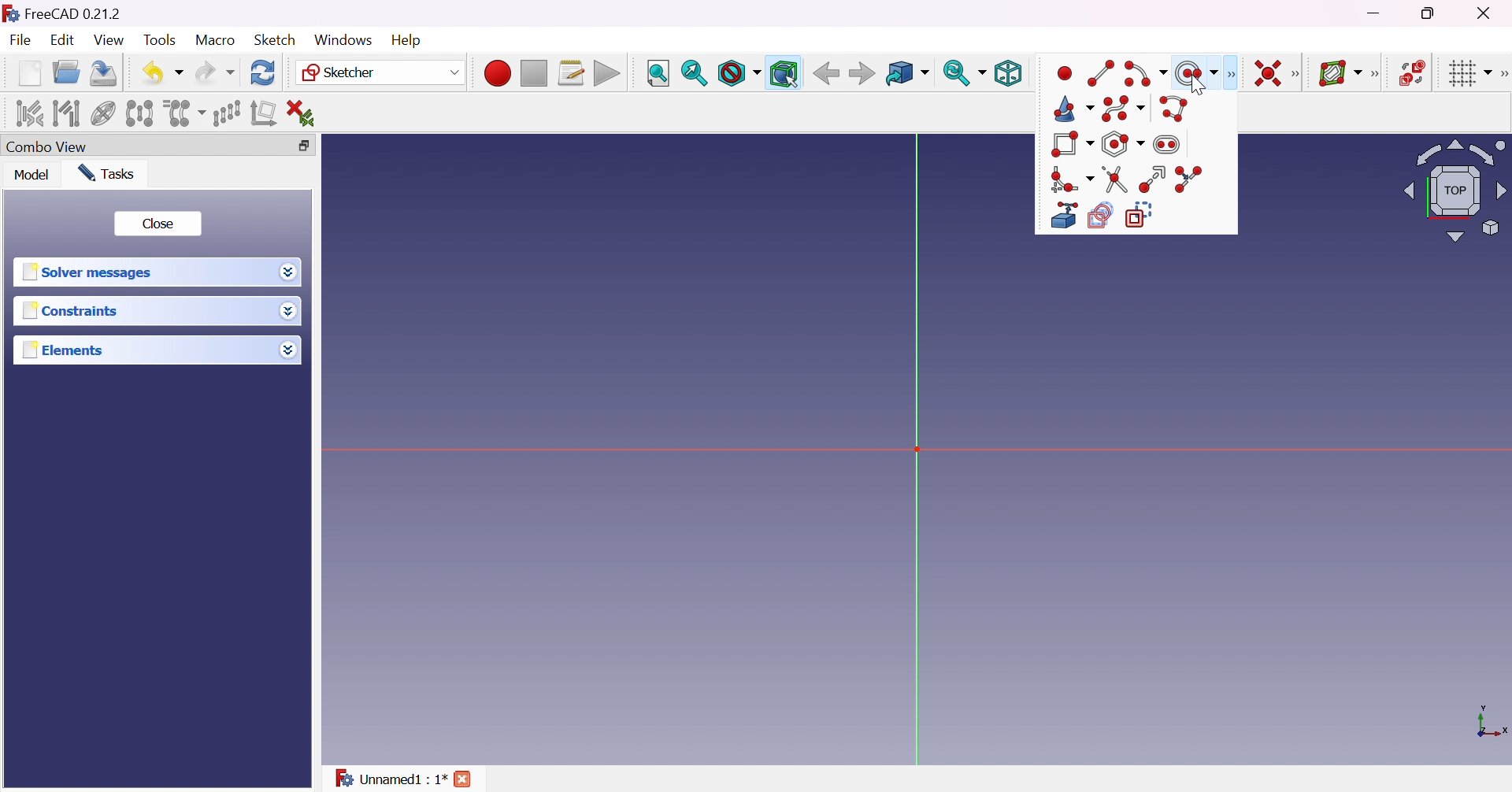  What do you see at coordinates (965, 74) in the screenshot?
I see `` at bounding box center [965, 74].